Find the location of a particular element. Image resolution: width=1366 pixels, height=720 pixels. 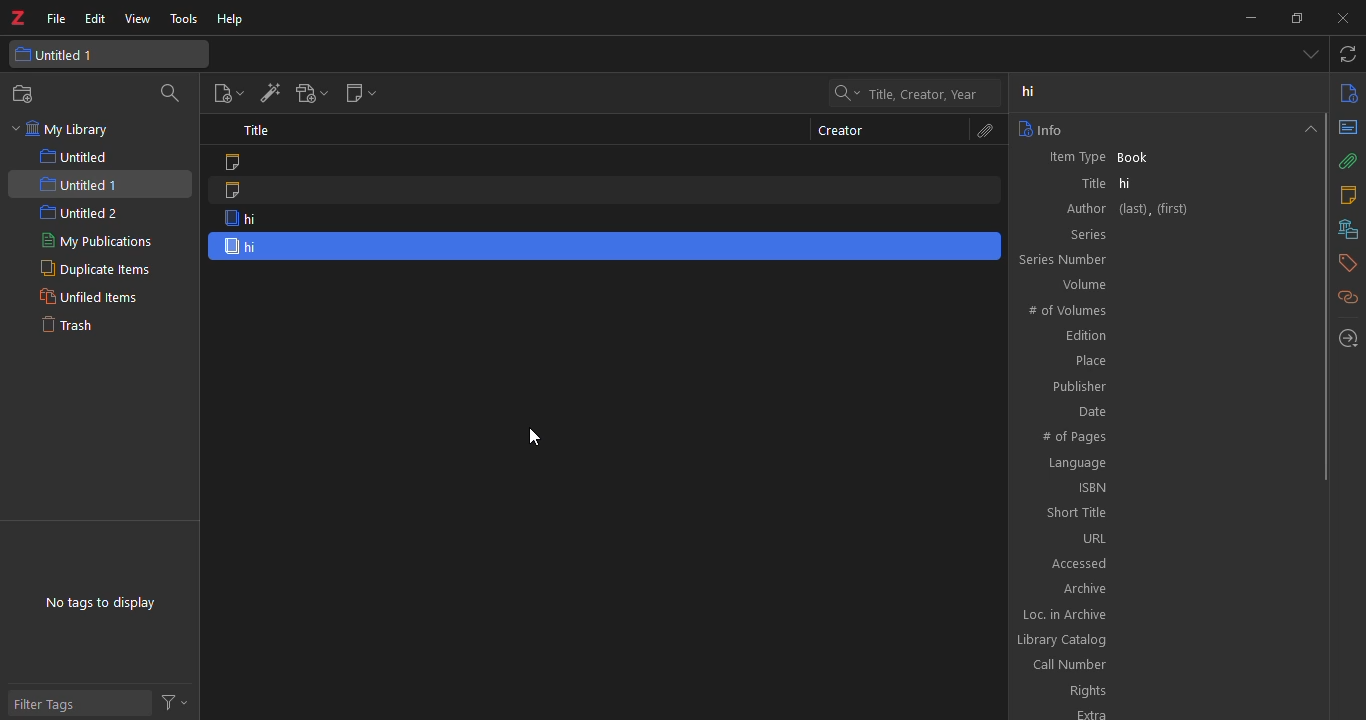

untitled is located at coordinates (74, 155).